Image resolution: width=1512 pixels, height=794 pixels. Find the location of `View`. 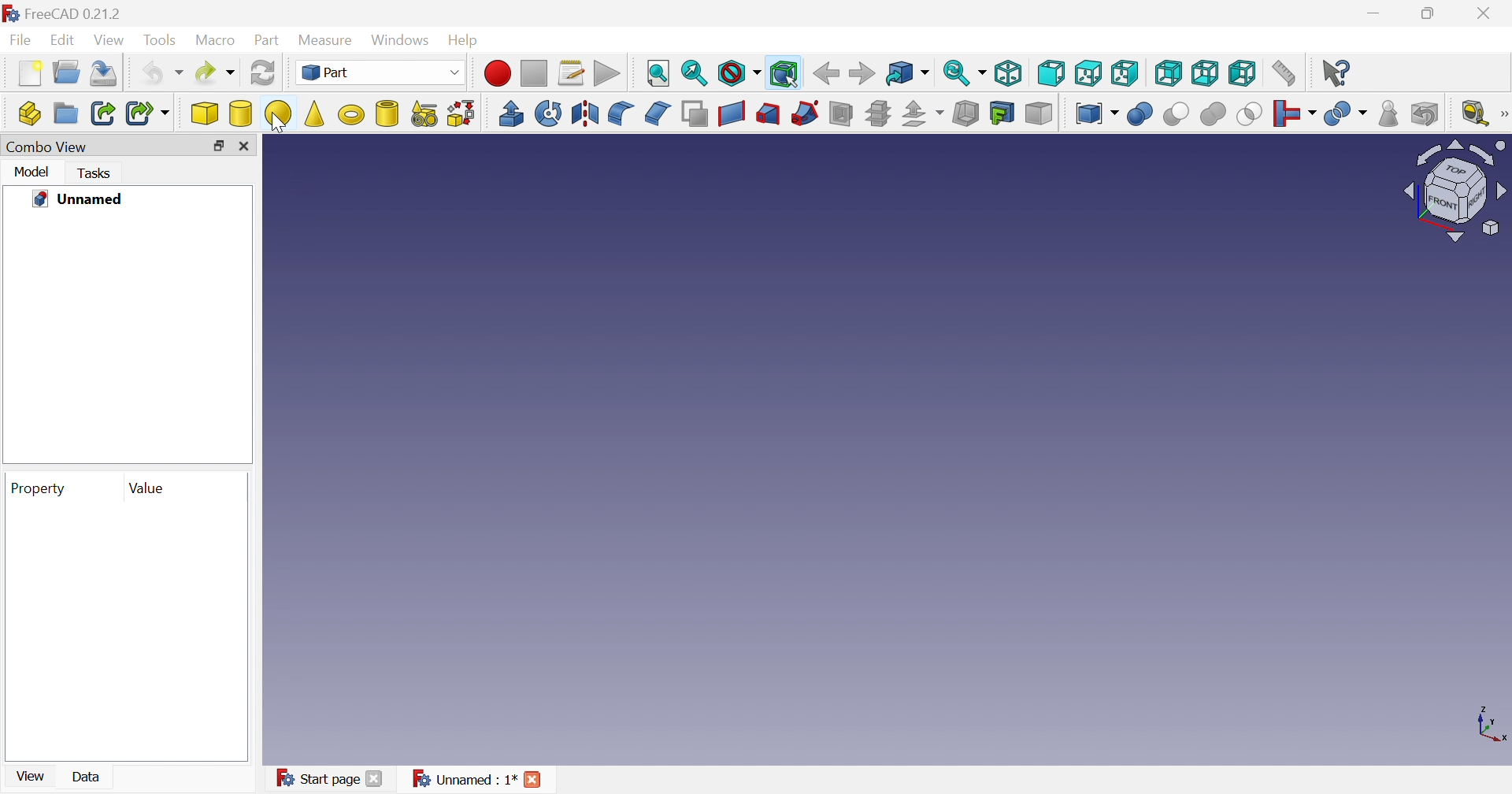

View is located at coordinates (113, 41).